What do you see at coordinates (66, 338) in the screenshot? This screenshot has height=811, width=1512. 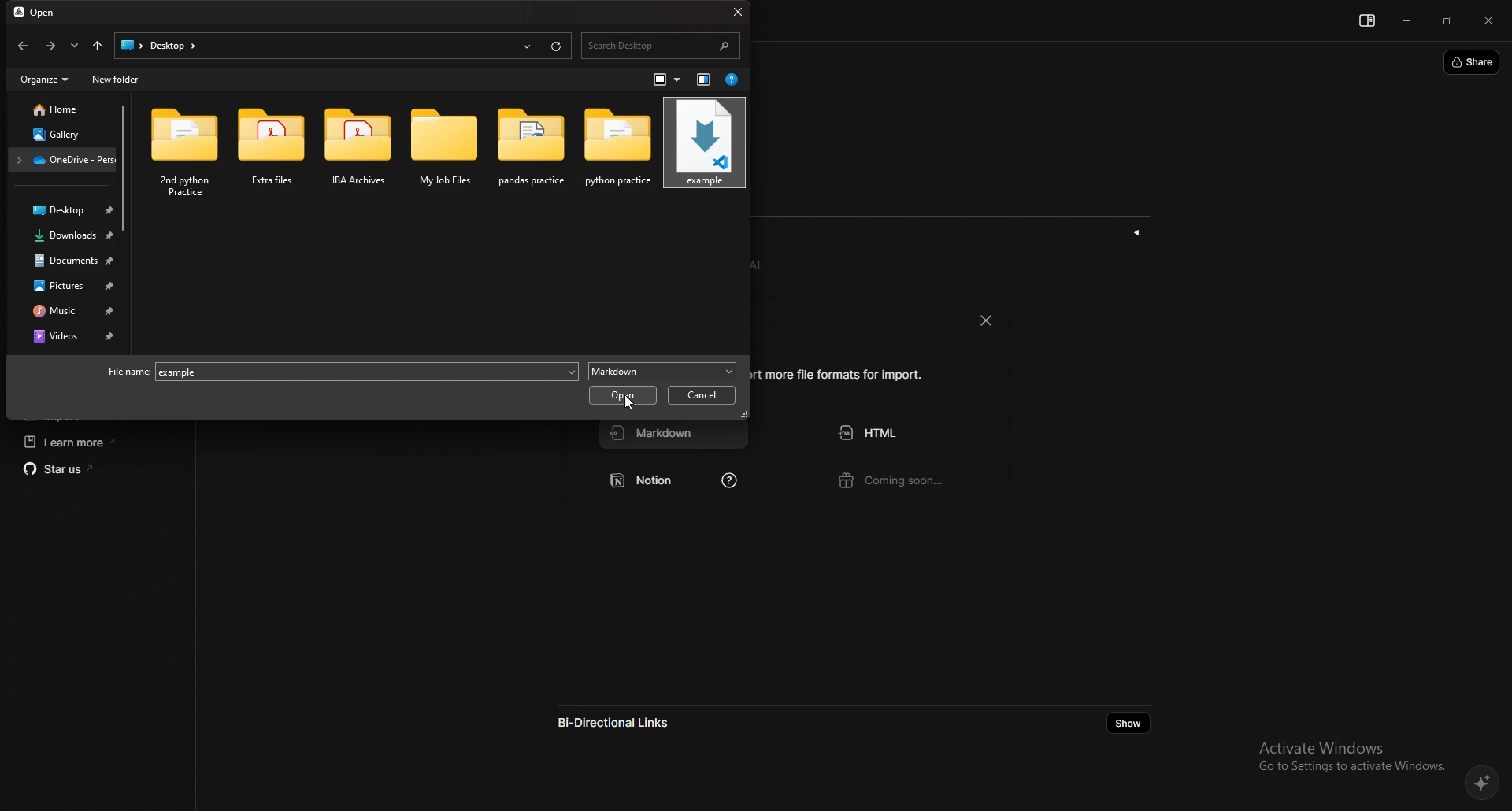 I see `videos` at bounding box center [66, 338].